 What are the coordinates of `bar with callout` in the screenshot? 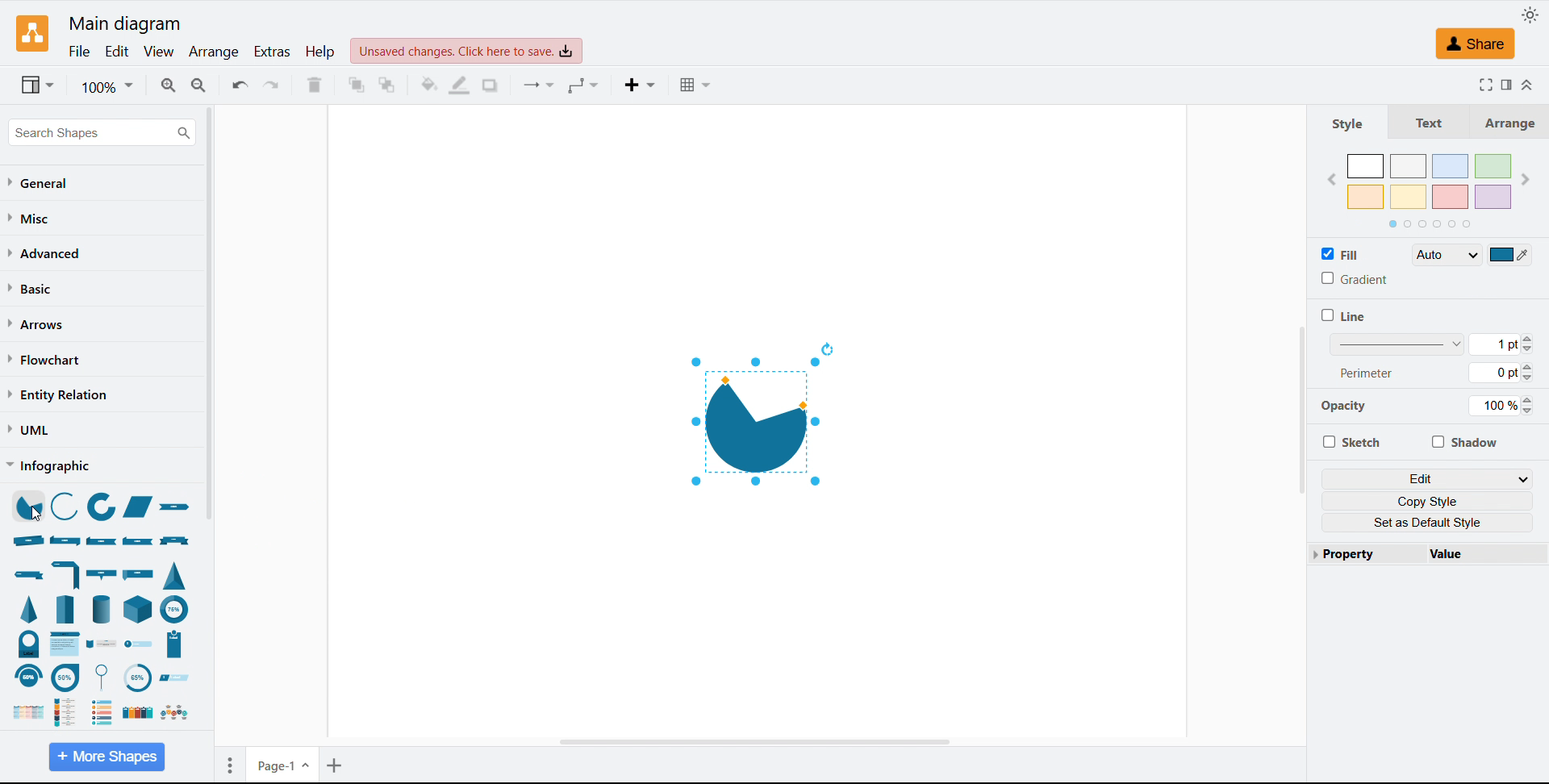 It's located at (102, 576).